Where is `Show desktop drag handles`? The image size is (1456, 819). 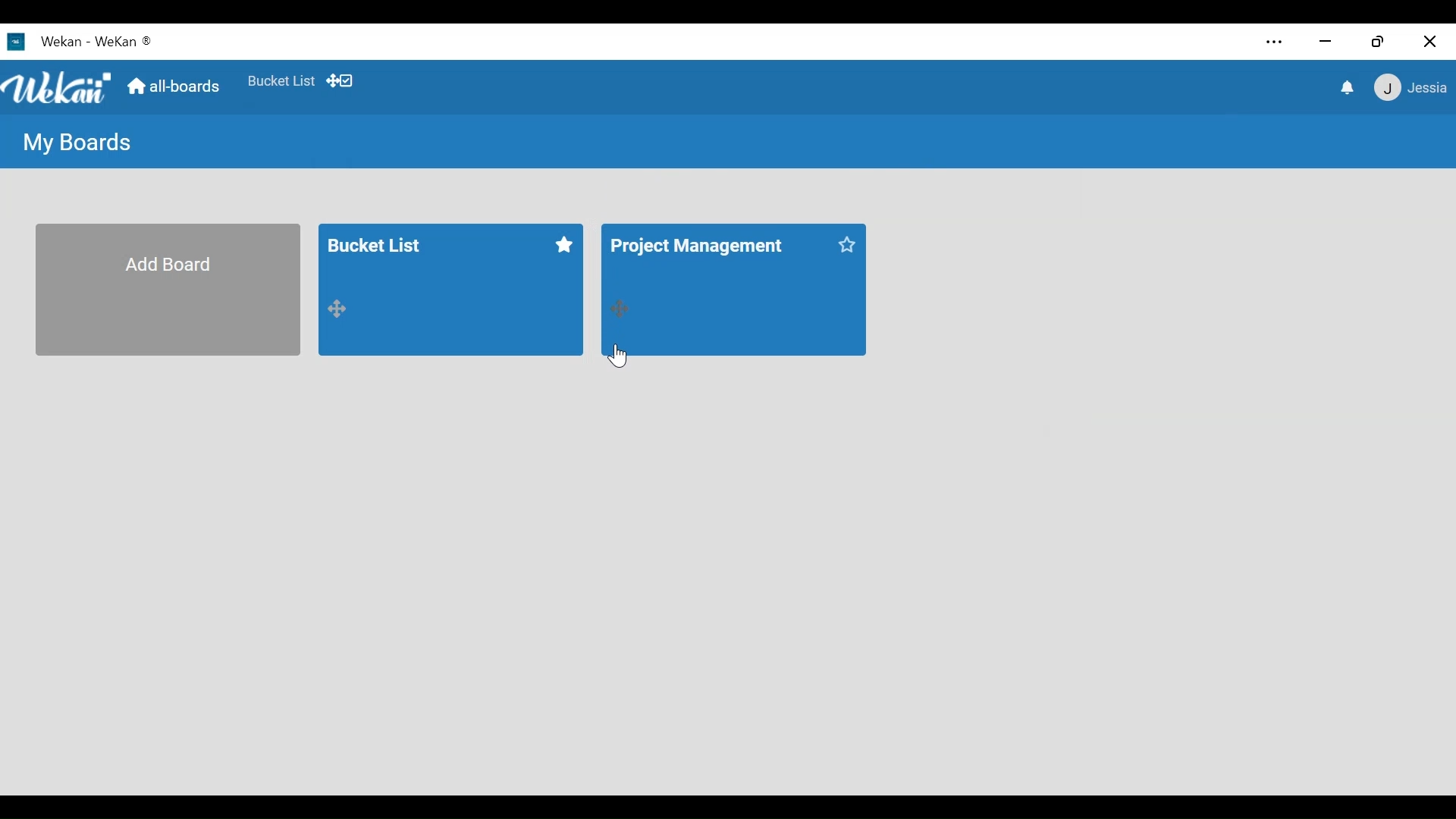 Show desktop drag handles is located at coordinates (342, 80).